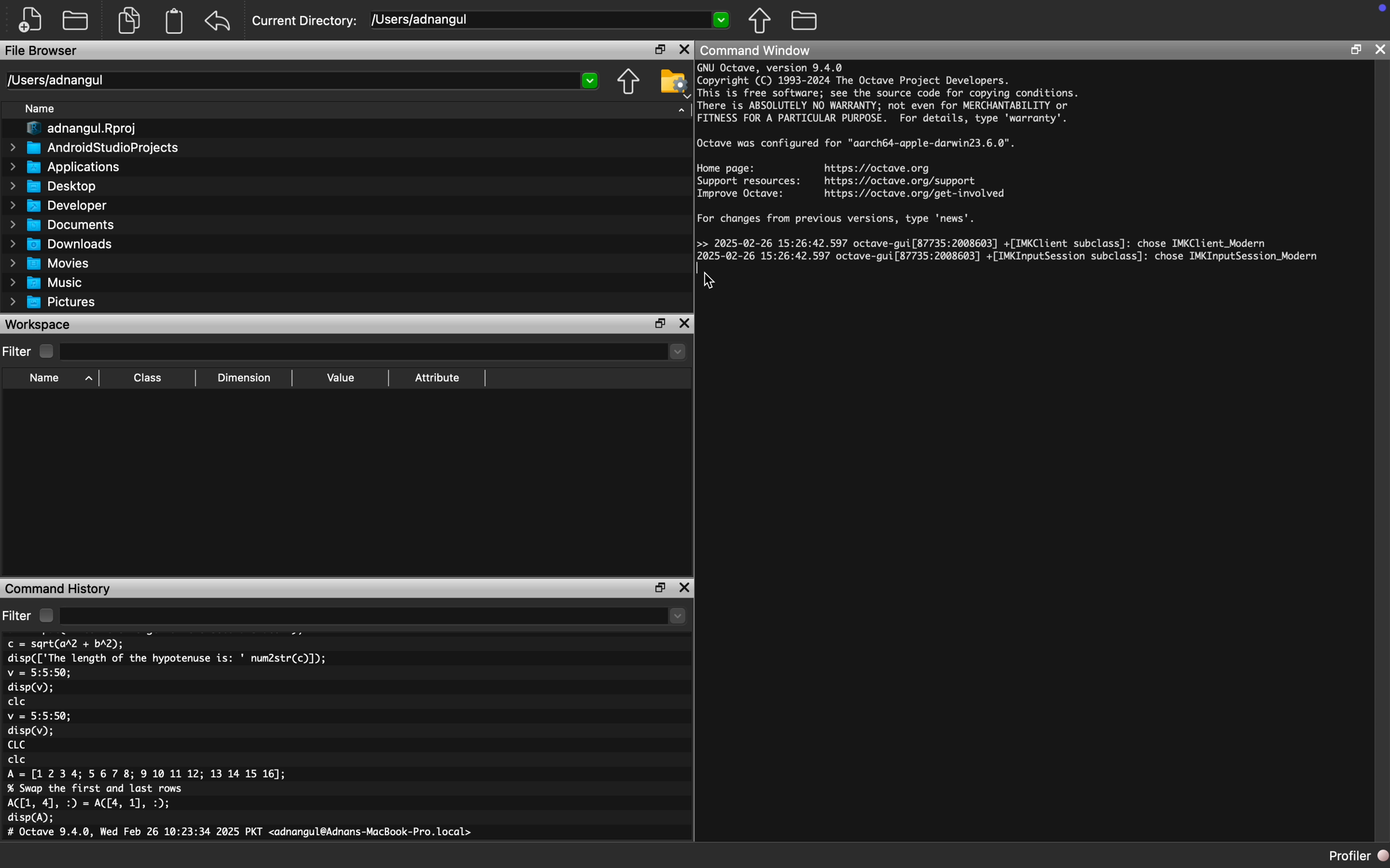  I want to click on /[Users/adnangul , so click(551, 21).